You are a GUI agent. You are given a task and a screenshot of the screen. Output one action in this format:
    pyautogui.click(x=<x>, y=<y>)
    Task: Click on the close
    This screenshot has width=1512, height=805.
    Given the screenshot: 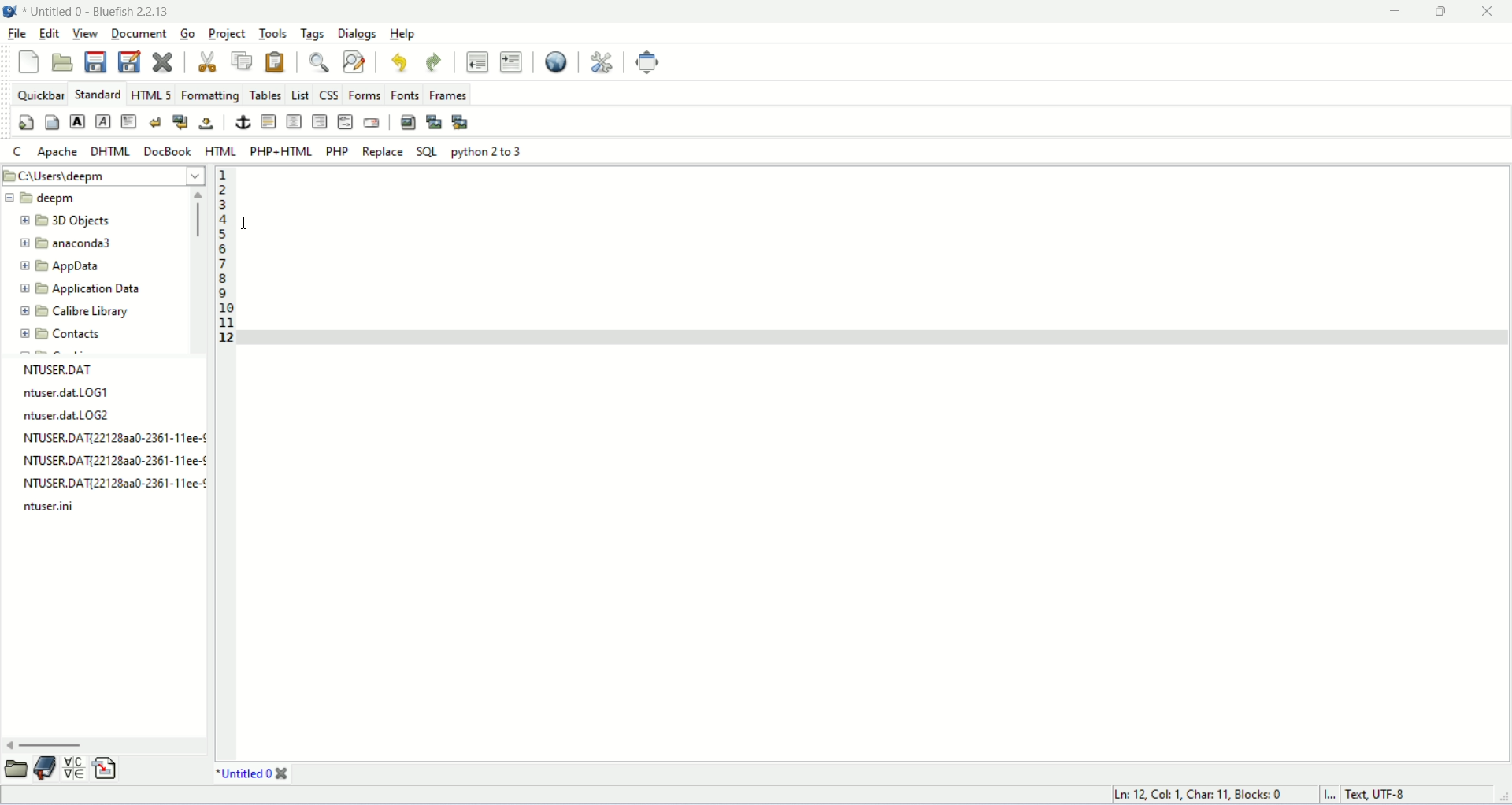 What is the action you would take?
    pyautogui.click(x=283, y=774)
    